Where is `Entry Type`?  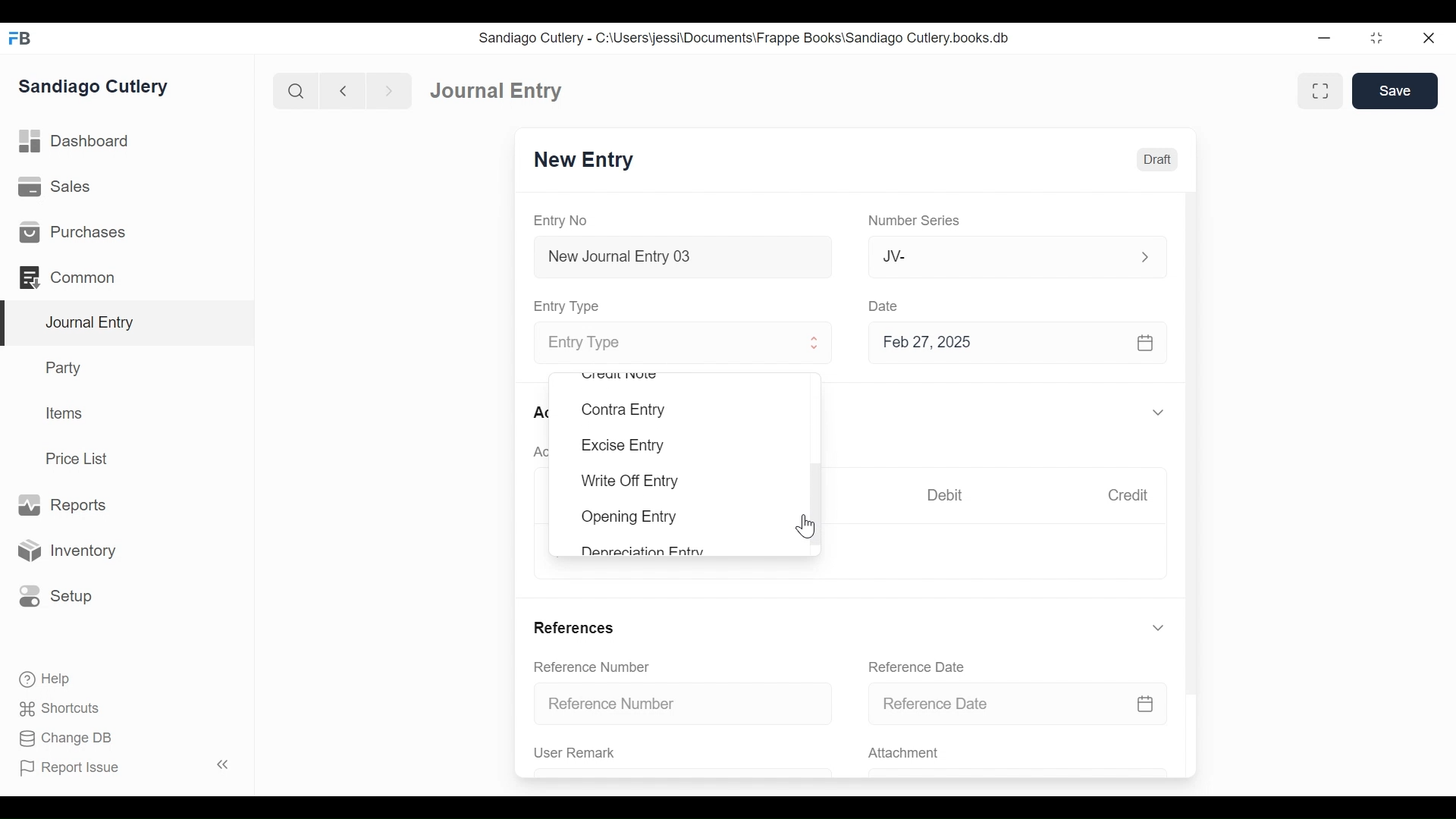
Entry Type is located at coordinates (663, 343).